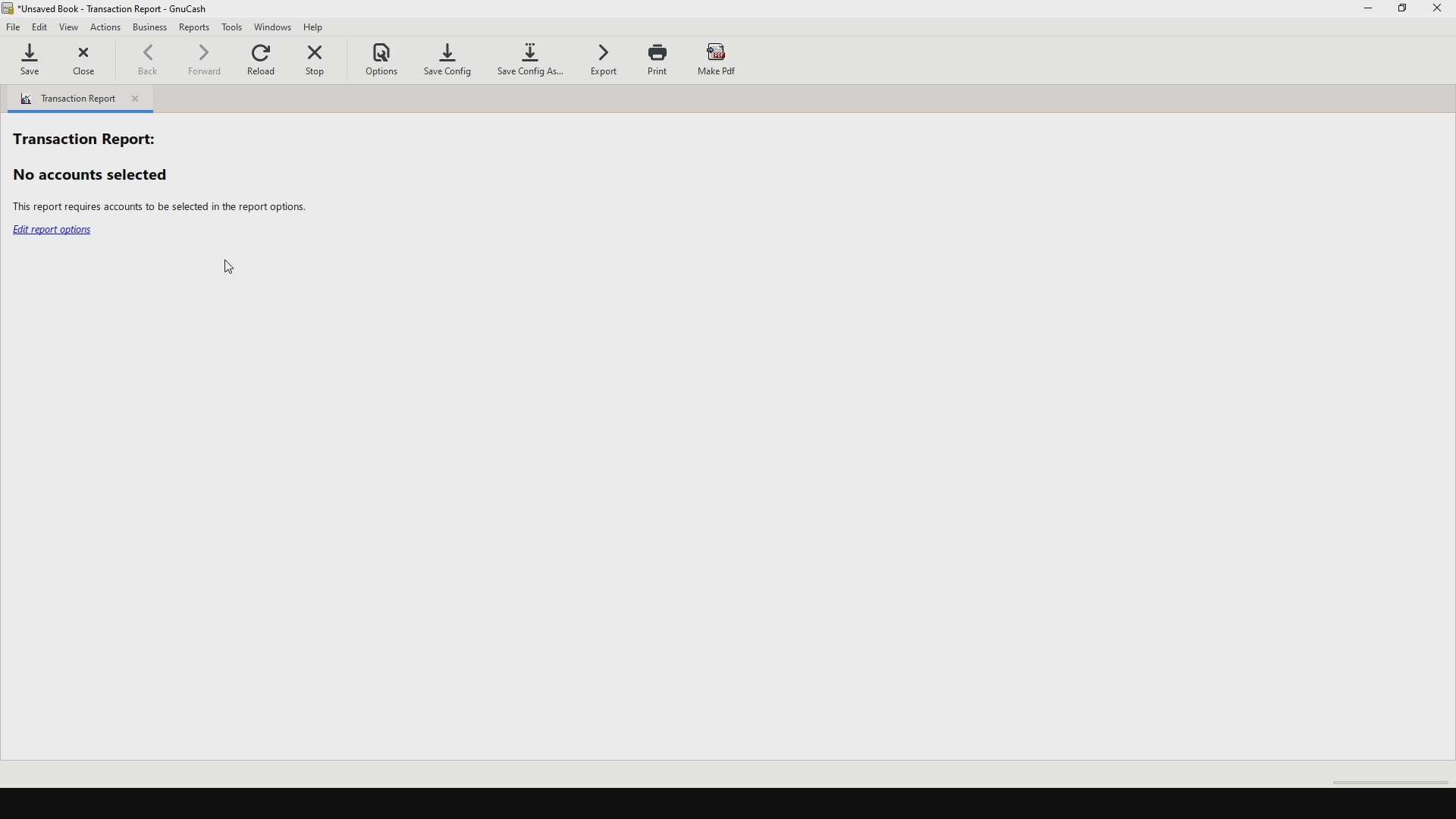 The image size is (1456, 819). Describe the element at coordinates (72, 27) in the screenshot. I see `view` at that location.